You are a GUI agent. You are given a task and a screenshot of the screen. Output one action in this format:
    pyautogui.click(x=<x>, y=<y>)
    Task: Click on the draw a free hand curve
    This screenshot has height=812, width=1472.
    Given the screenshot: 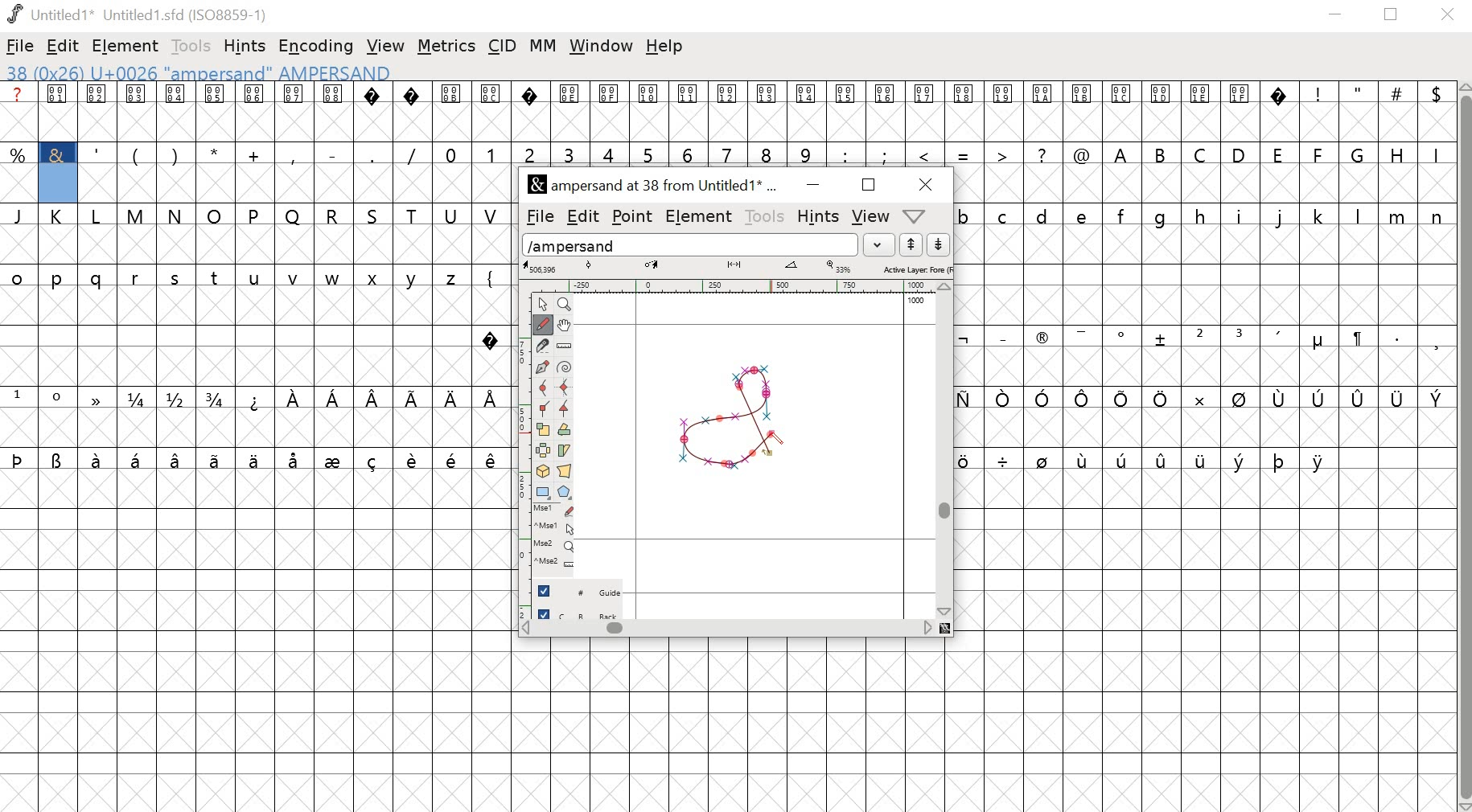 What is the action you would take?
    pyautogui.click(x=541, y=324)
    